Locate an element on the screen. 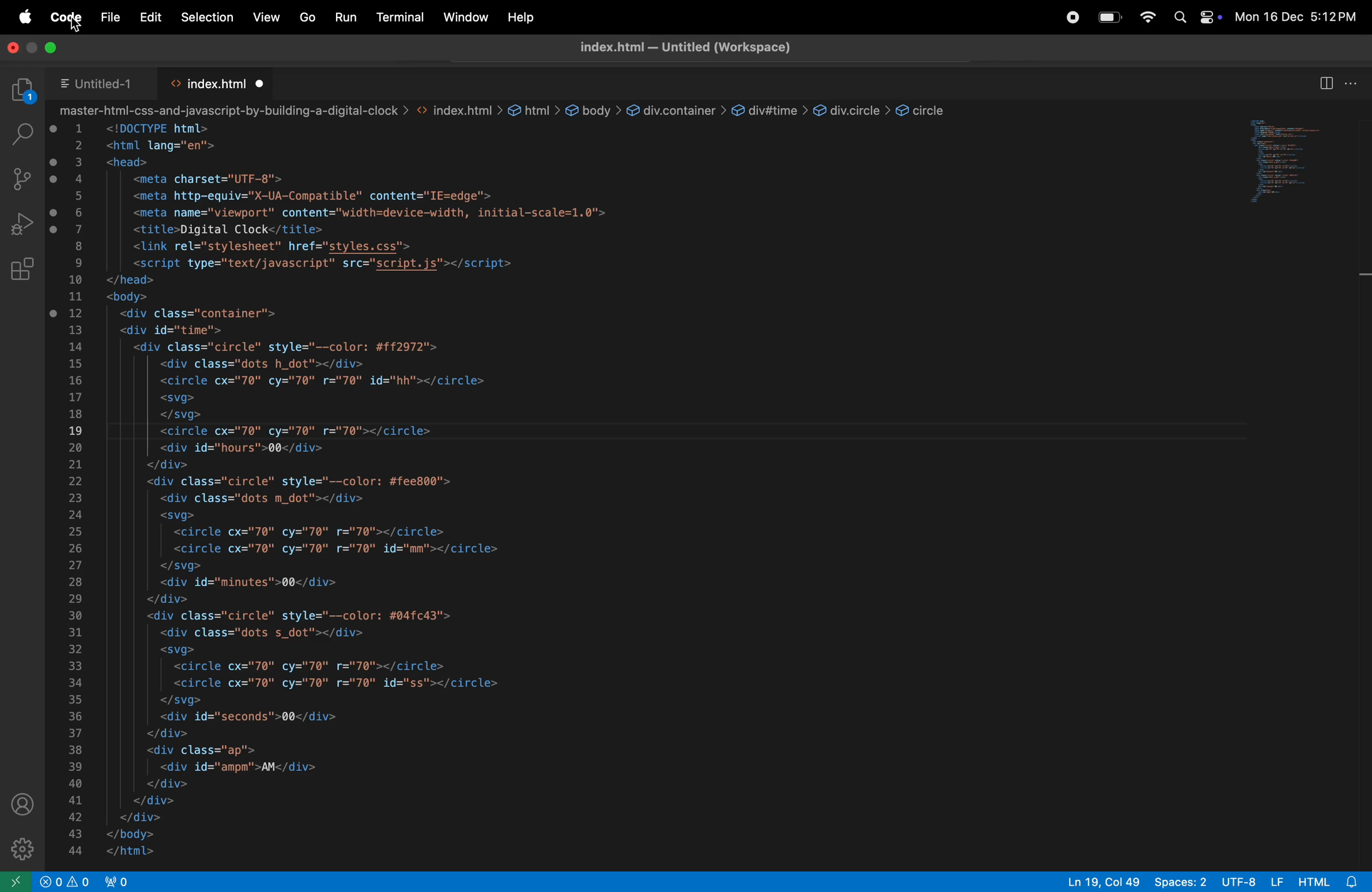  <div id="time"> is located at coordinates (176, 329).